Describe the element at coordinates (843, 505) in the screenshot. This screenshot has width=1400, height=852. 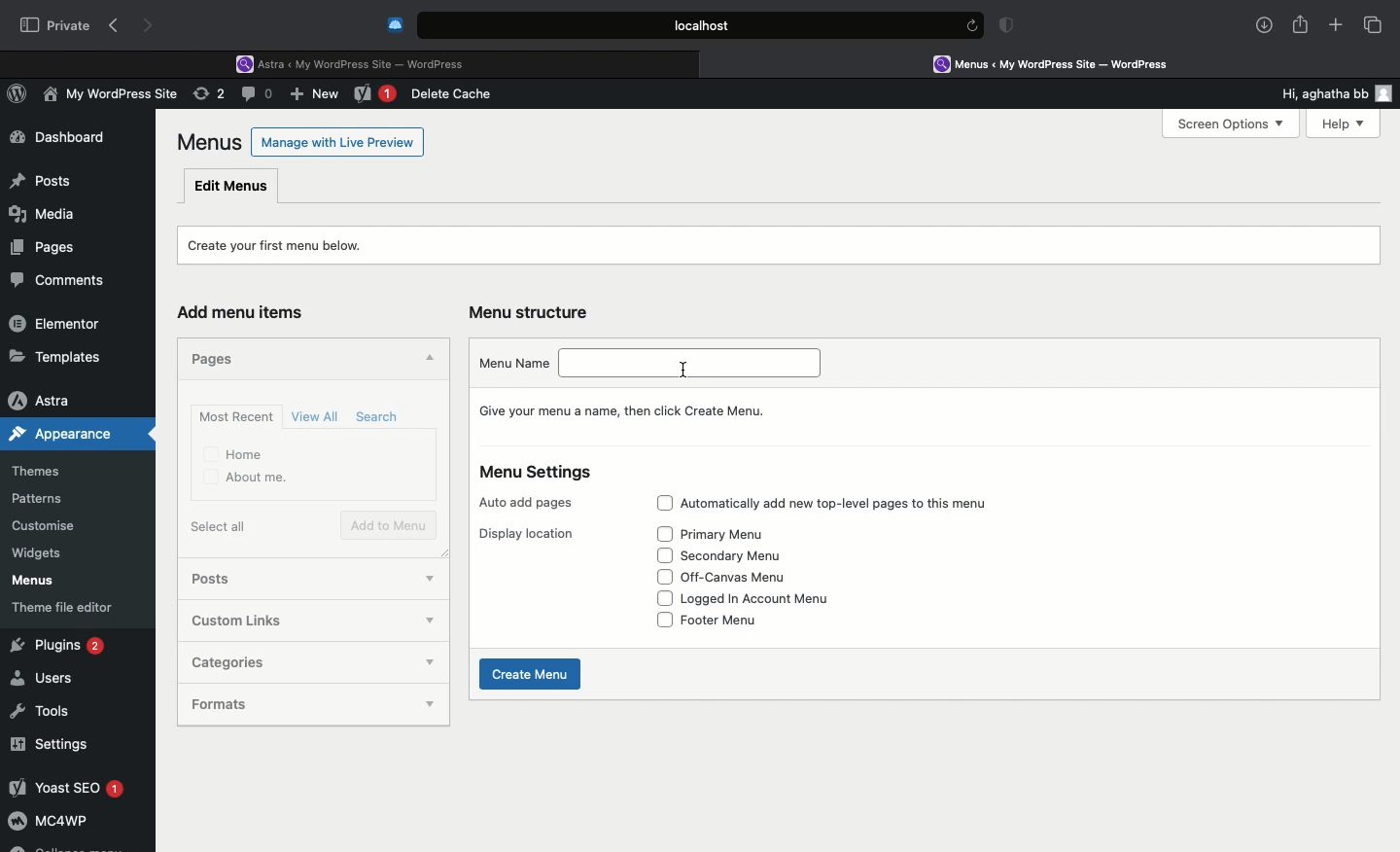
I see `Automatically add new top-level pages to this menu` at that location.